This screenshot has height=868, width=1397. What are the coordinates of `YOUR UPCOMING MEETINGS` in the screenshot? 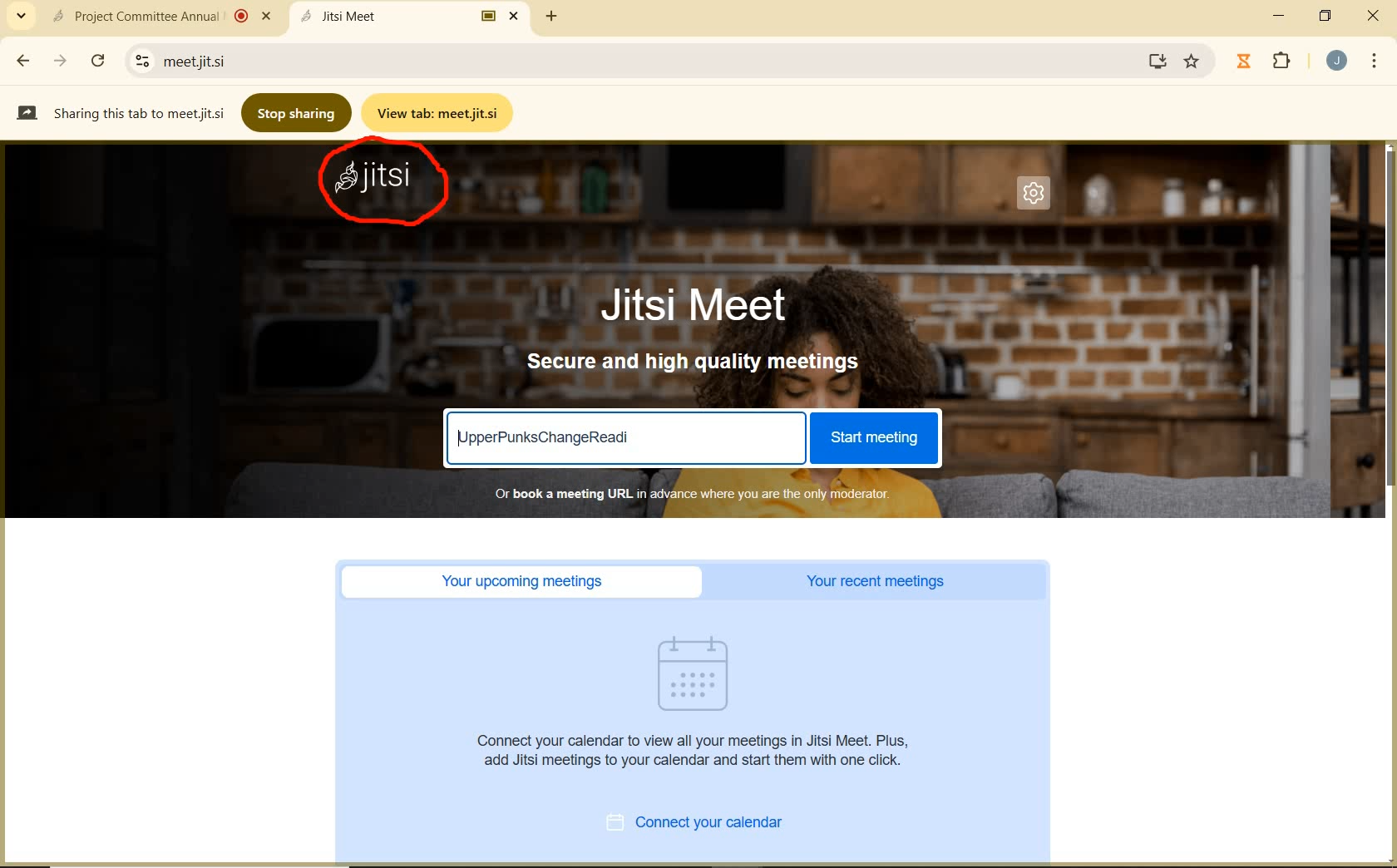 It's located at (527, 582).